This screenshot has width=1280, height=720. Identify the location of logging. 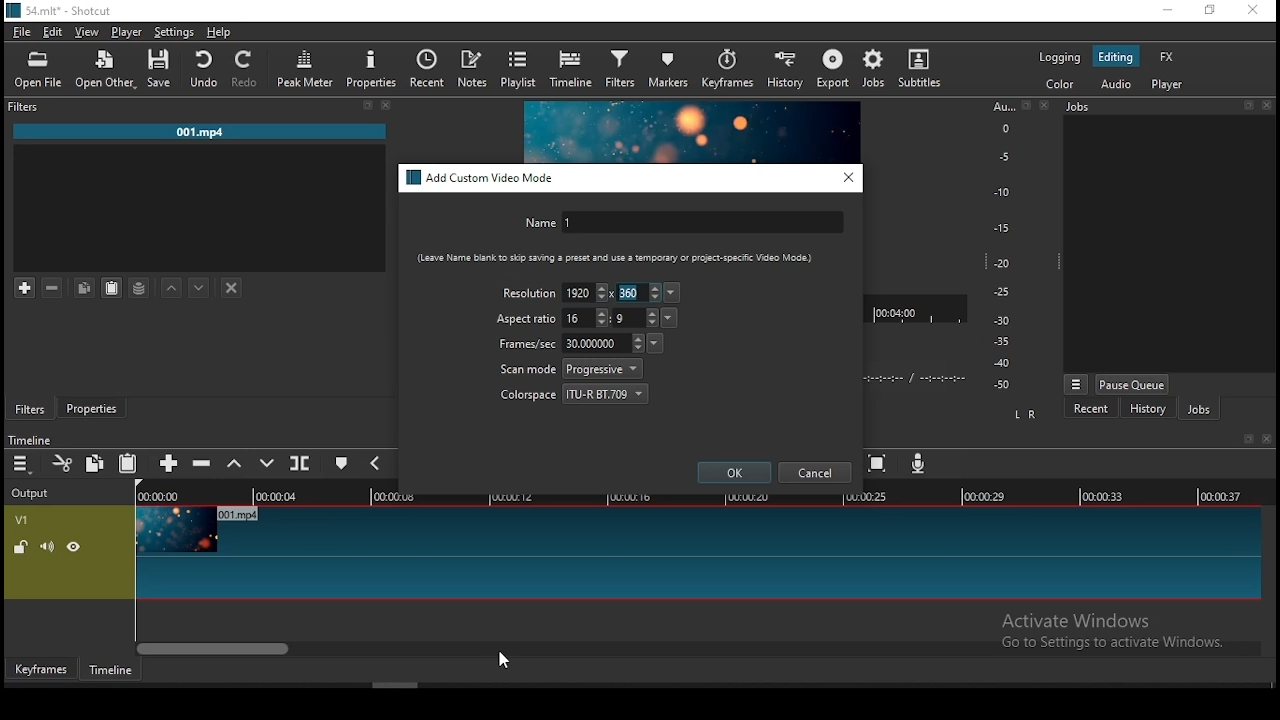
(1059, 56).